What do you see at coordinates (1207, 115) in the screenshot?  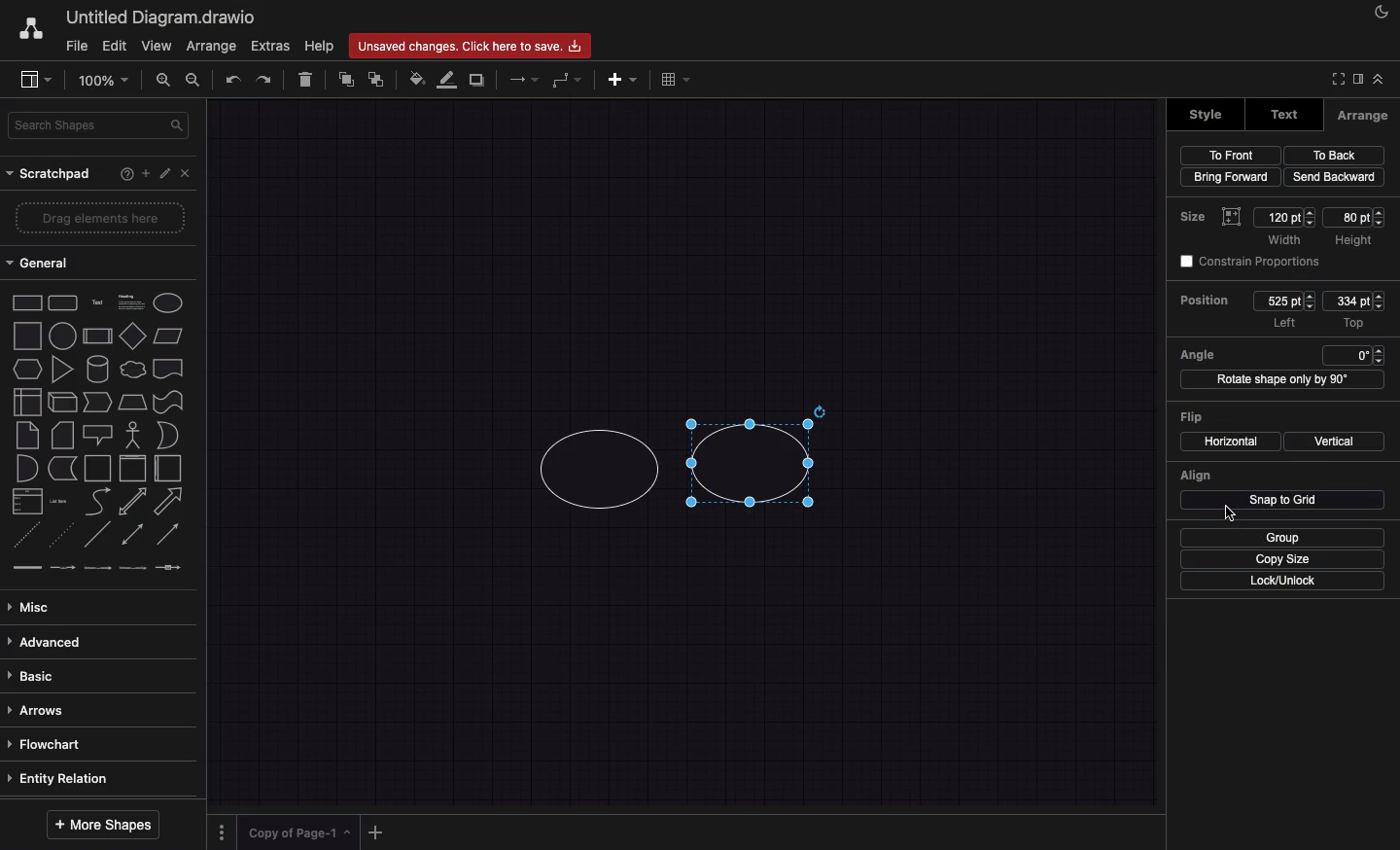 I see `style` at bounding box center [1207, 115].